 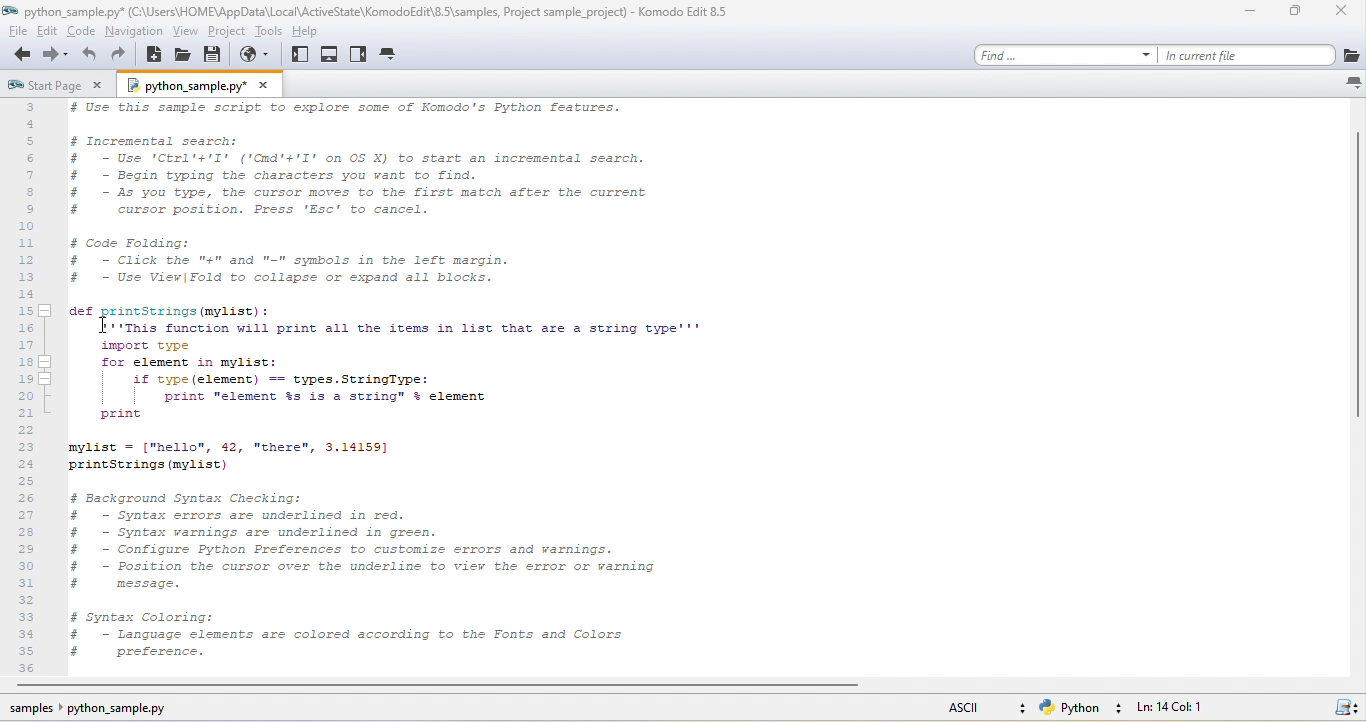 What do you see at coordinates (83, 34) in the screenshot?
I see `code` at bounding box center [83, 34].